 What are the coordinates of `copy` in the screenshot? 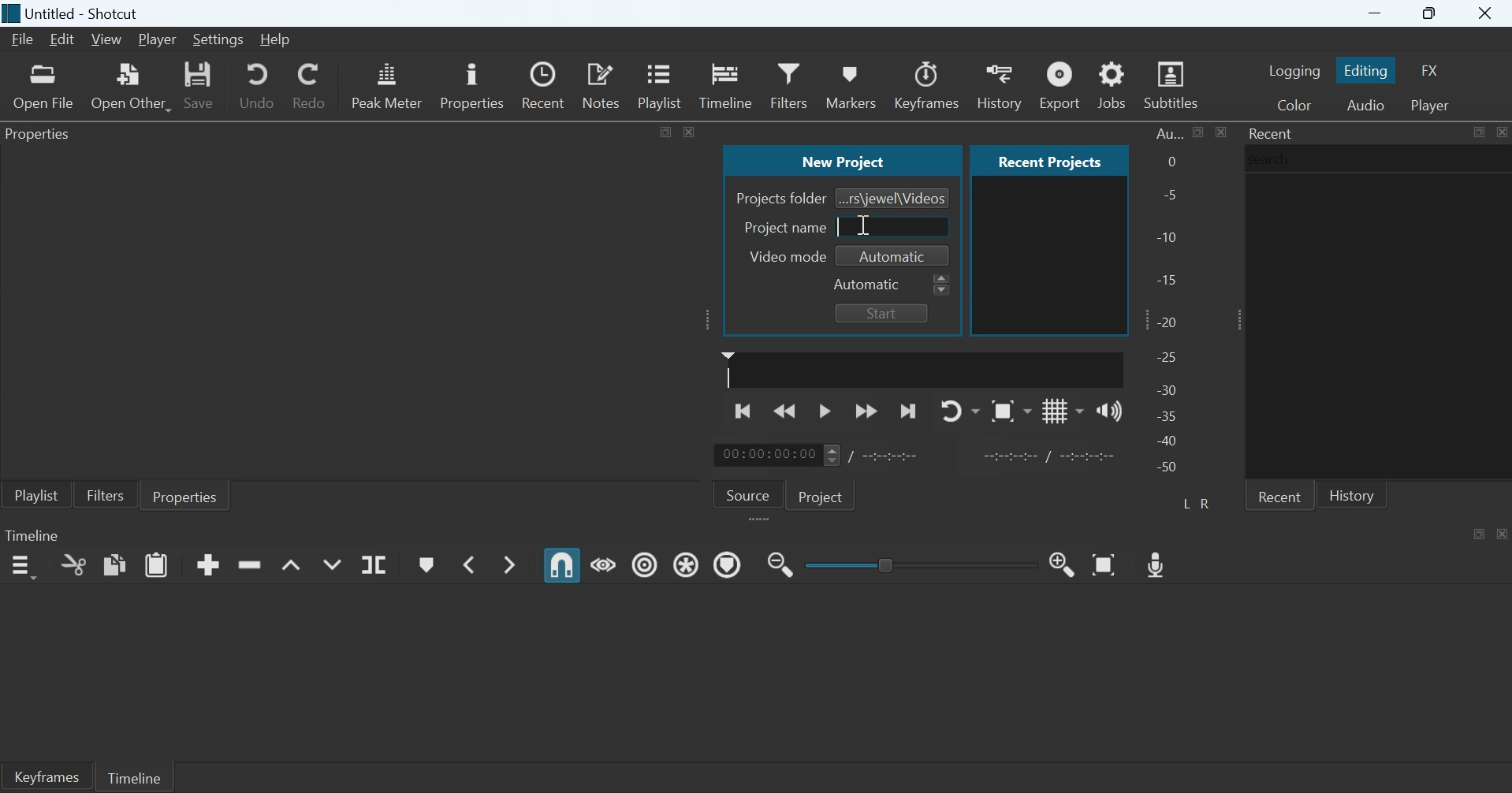 It's located at (115, 564).